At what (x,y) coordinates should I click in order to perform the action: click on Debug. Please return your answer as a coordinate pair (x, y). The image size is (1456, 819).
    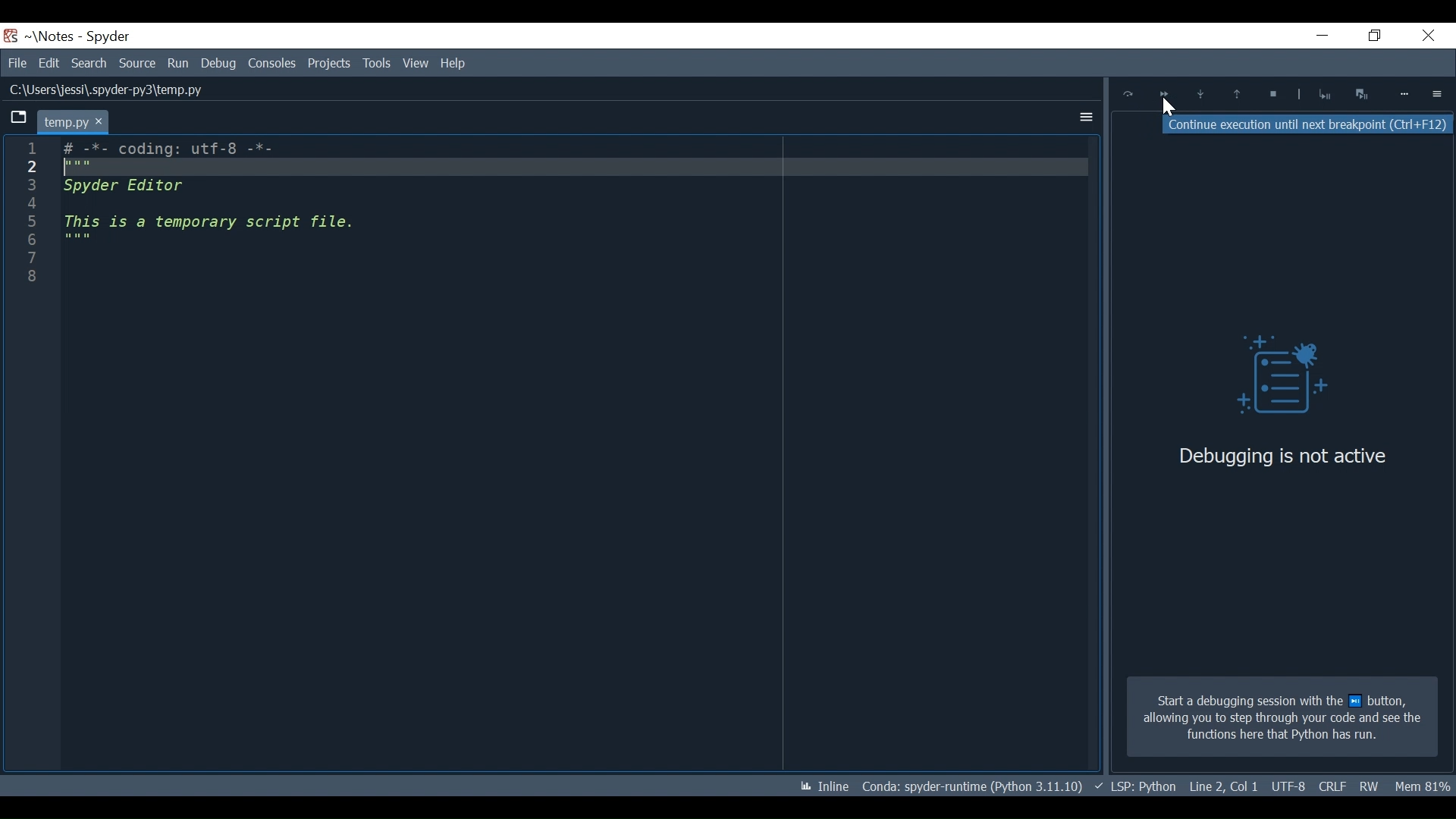
    Looking at the image, I should click on (218, 63).